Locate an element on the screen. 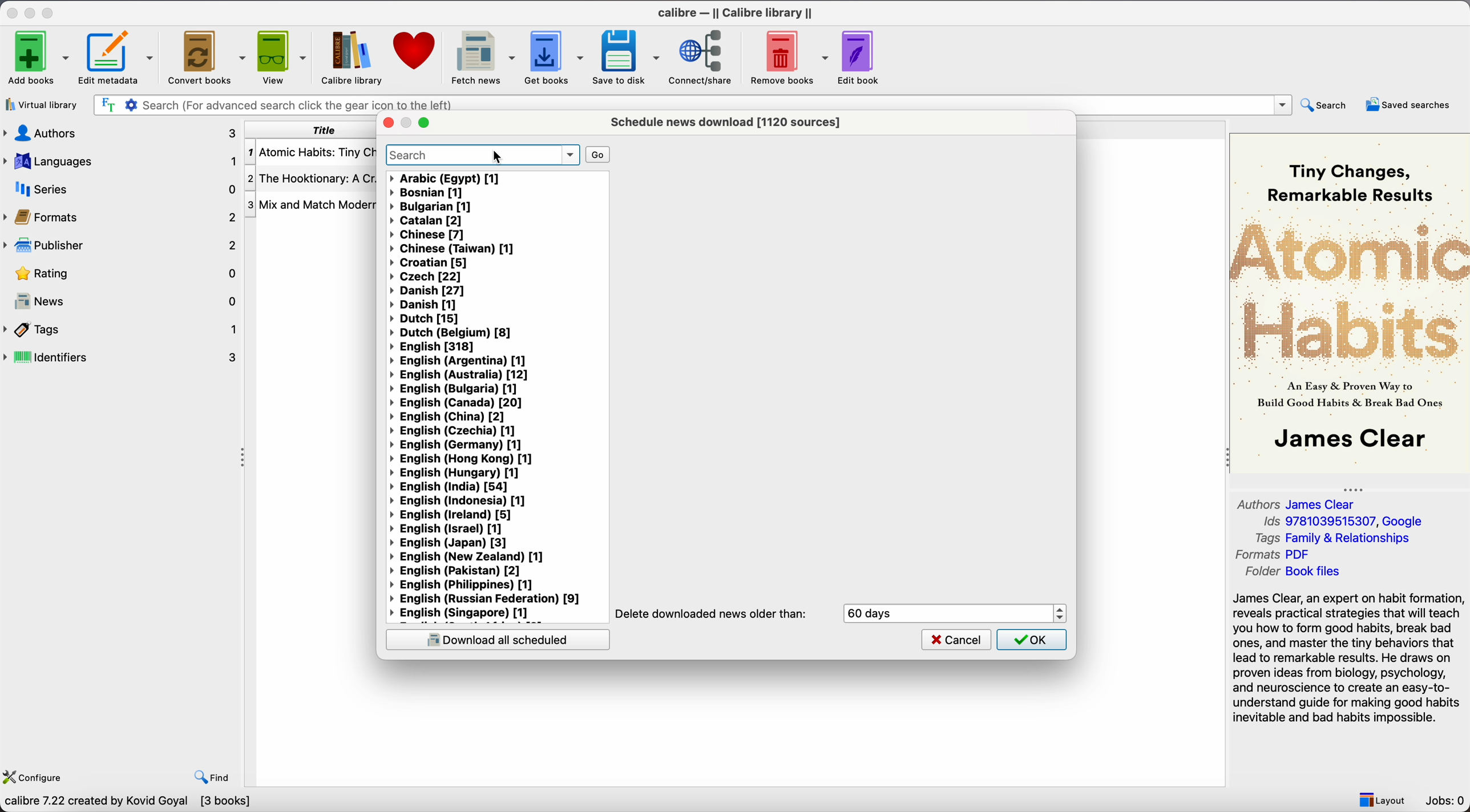 Image resolution: width=1470 pixels, height=812 pixels. Ids 9781039515307, Google is located at coordinates (1347, 522).